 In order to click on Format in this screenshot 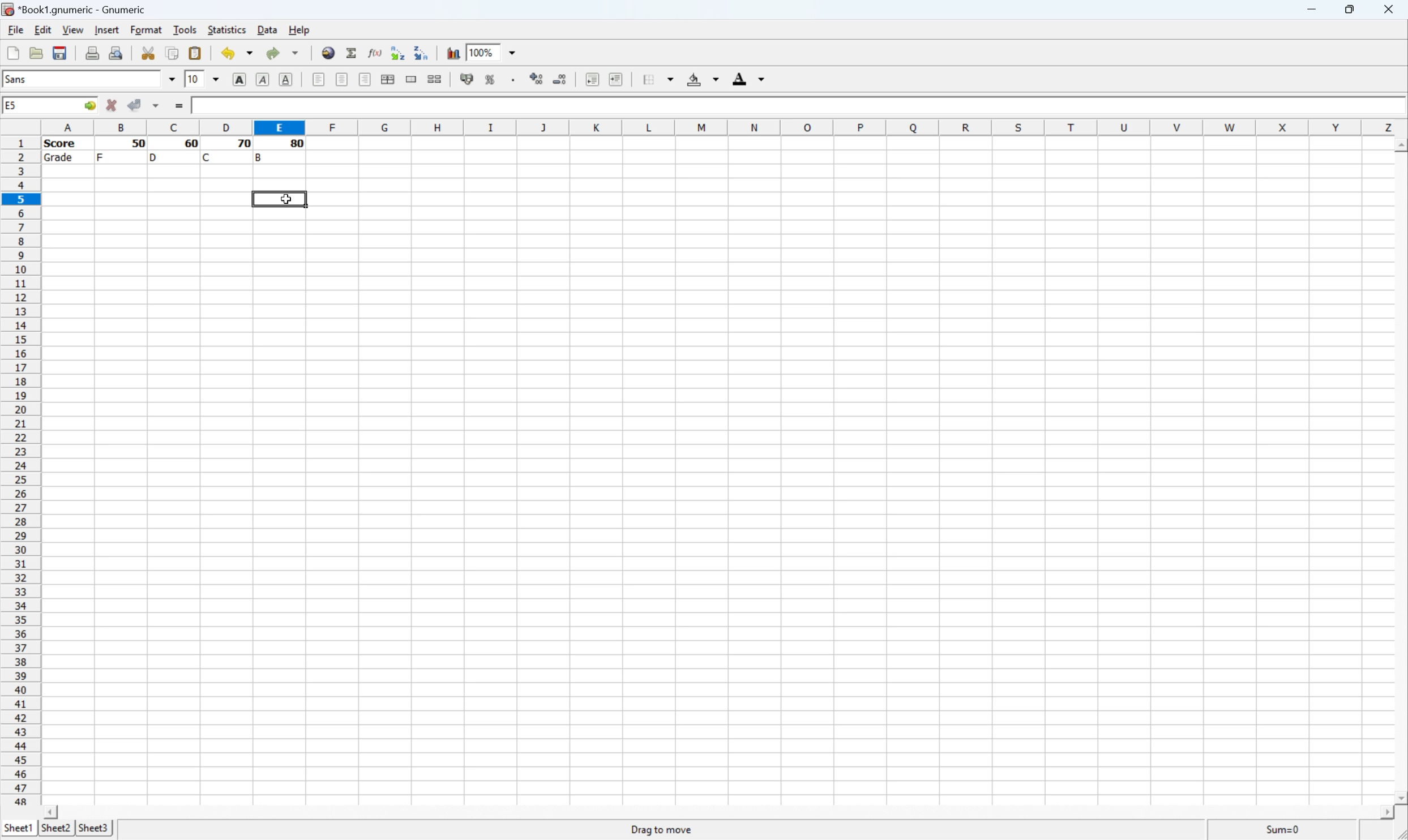, I will do `click(146, 28)`.